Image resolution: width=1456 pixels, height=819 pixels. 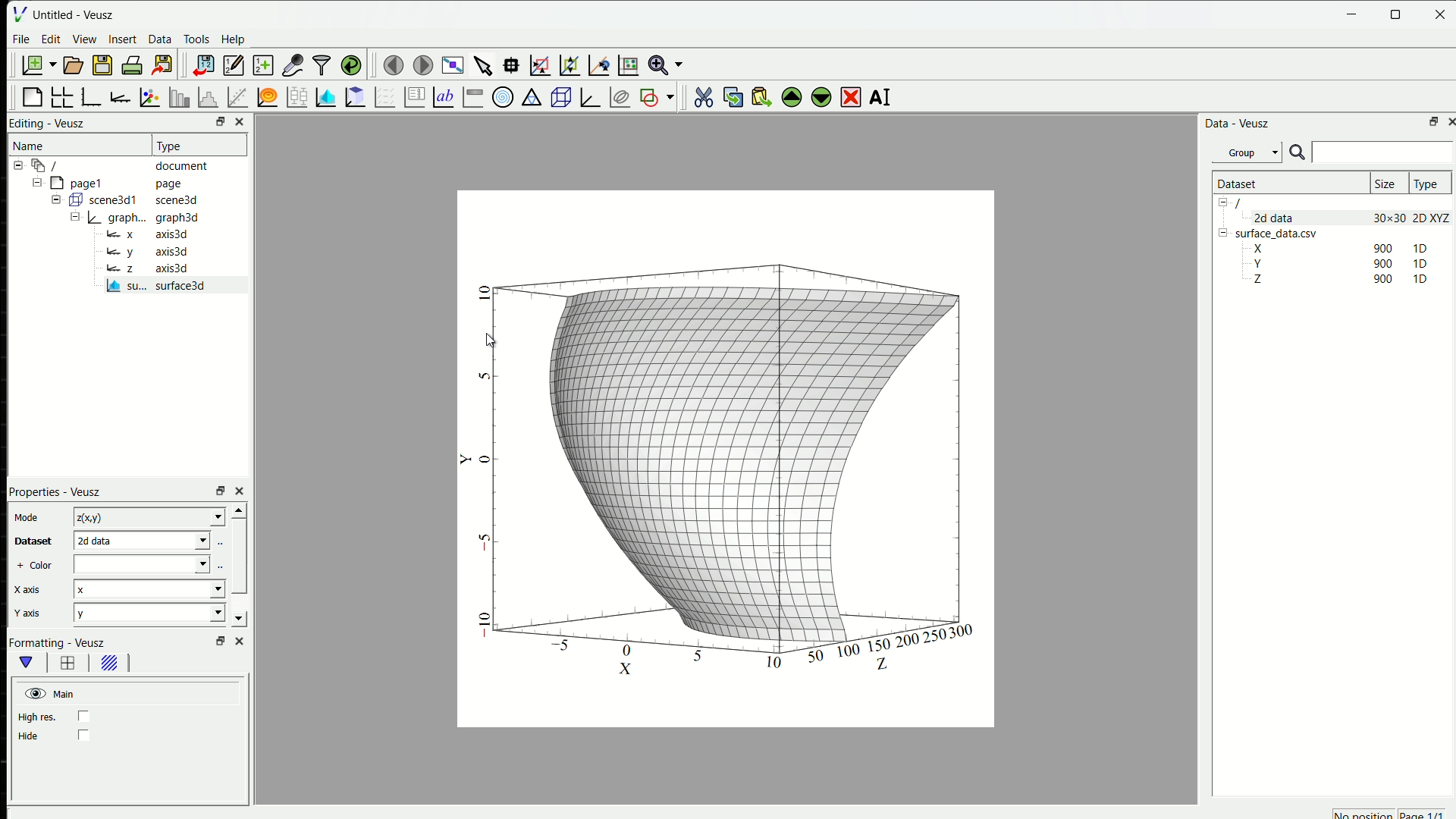 What do you see at coordinates (240, 619) in the screenshot?
I see `scroll down` at bounding box center [240, 619].